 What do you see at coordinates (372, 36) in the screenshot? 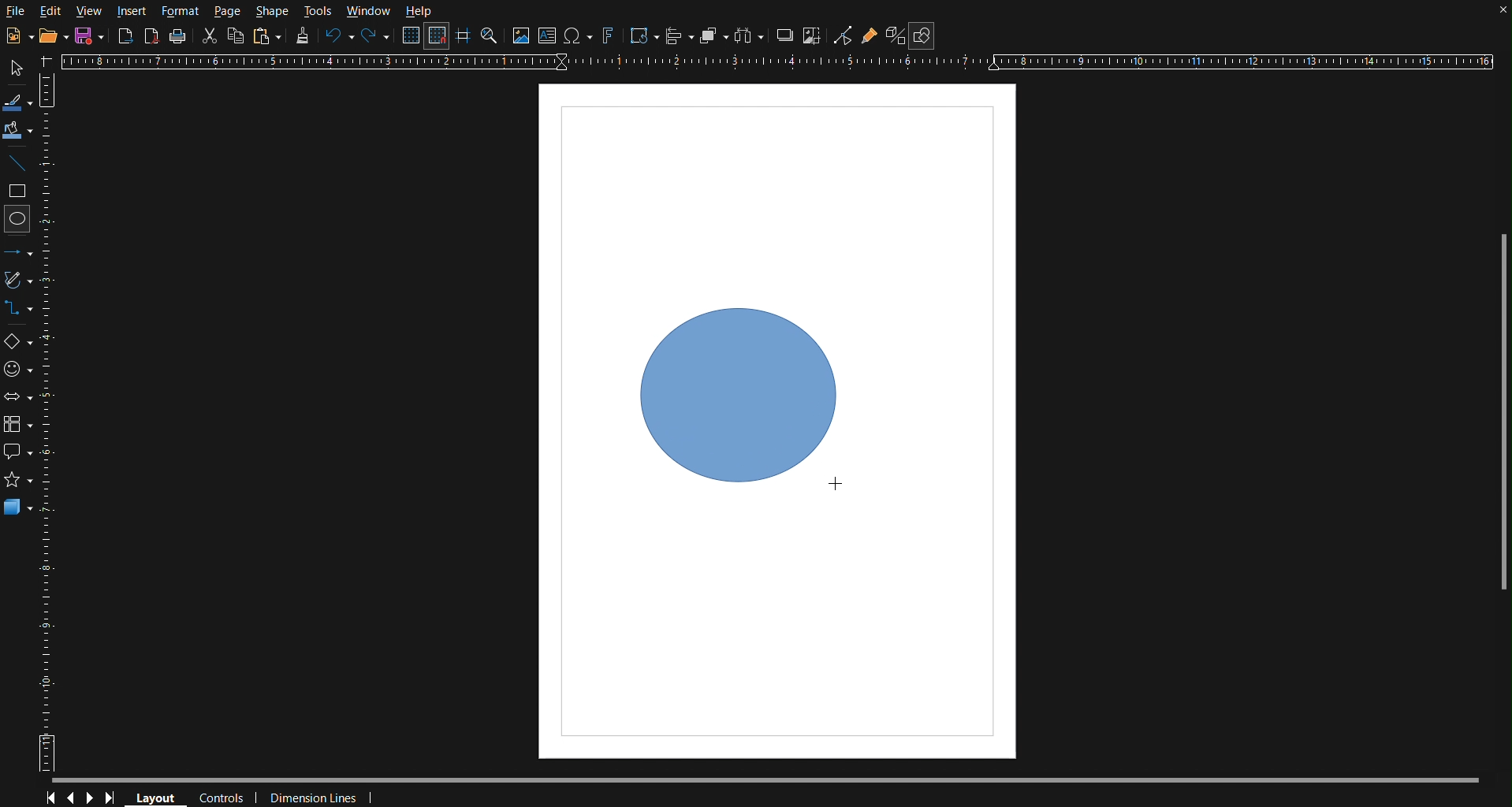
I see `Redo` at bounding box center [372, 36].